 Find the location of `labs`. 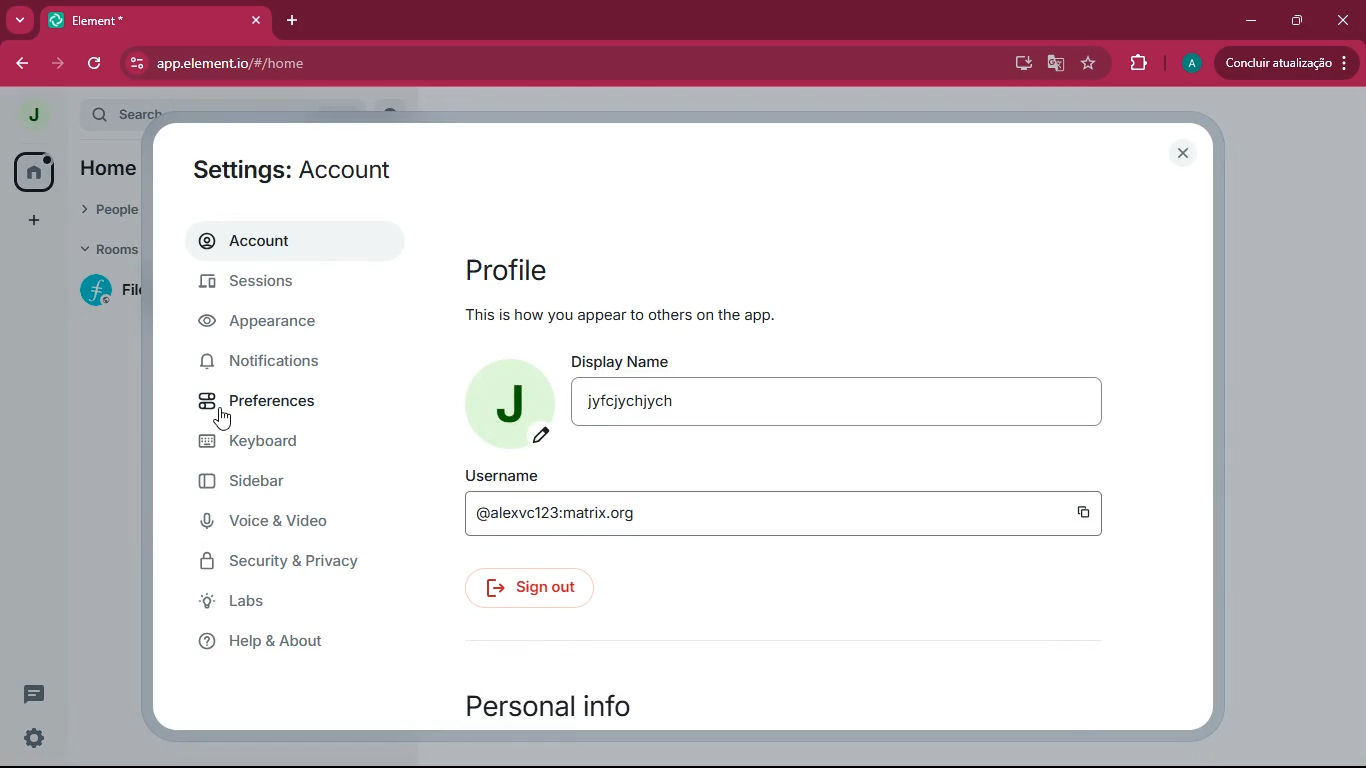

labs is located at coordinates (273, 606).